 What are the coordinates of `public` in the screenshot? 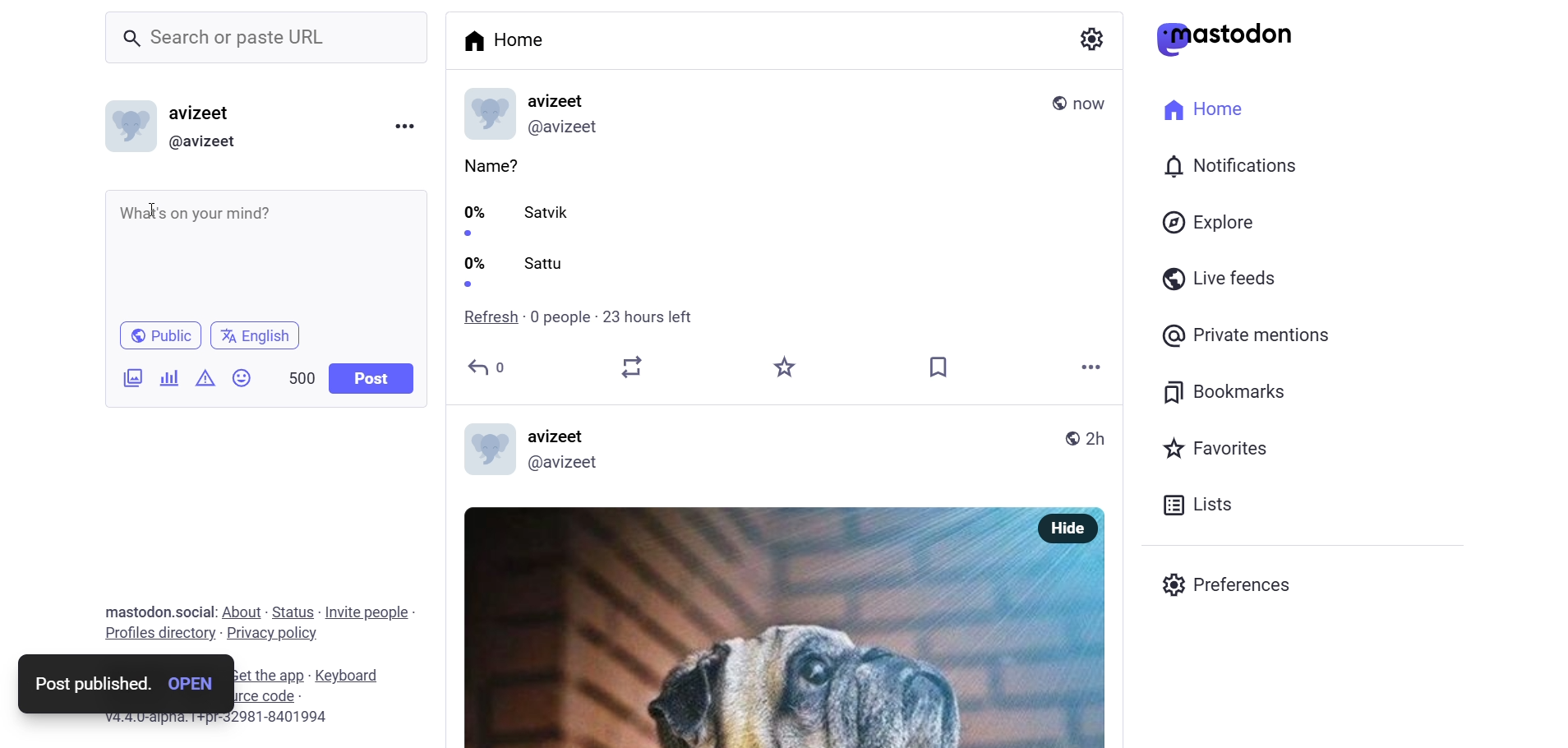 It's located at (1073, 439).